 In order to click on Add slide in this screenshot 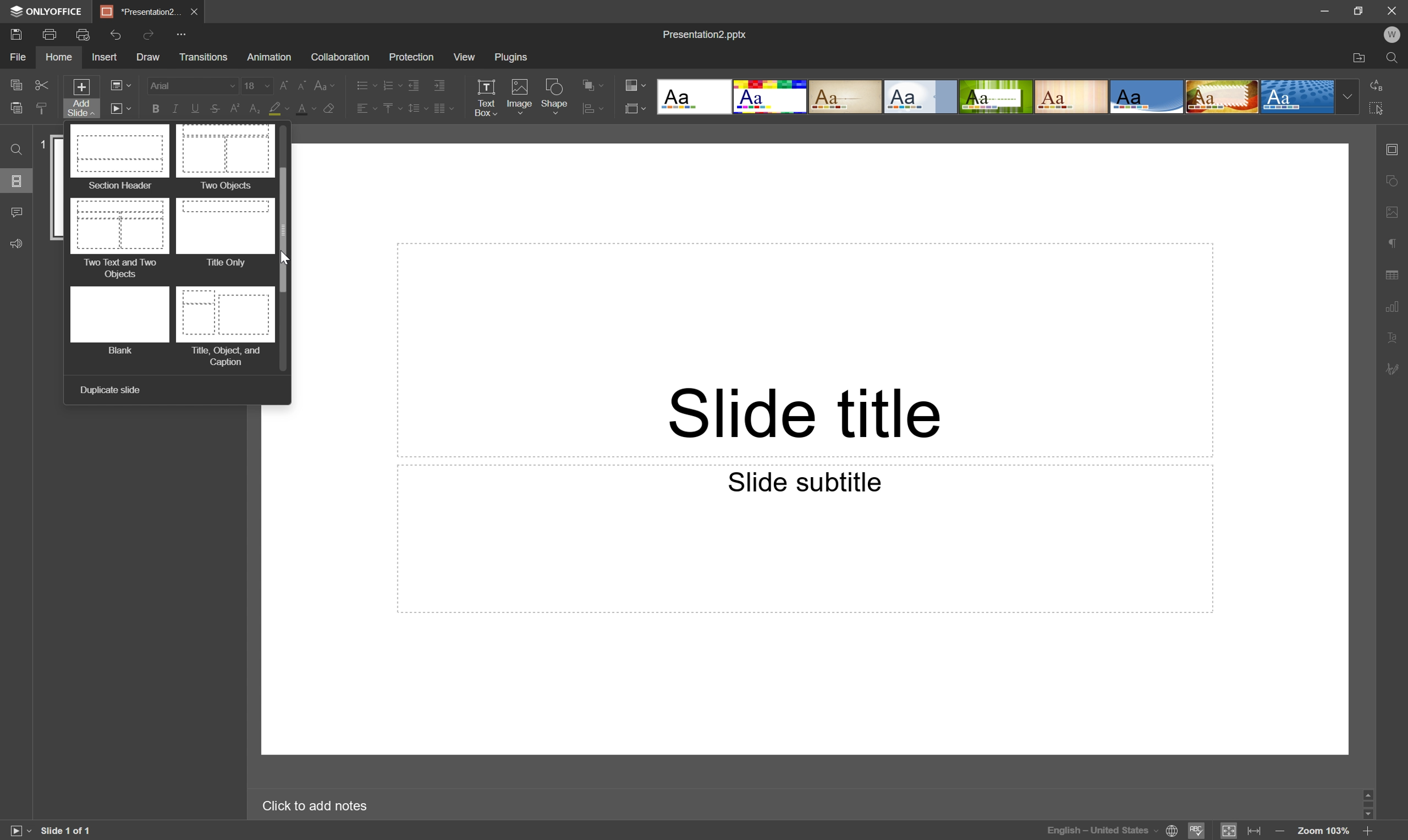, I will do `click(79, 97)`.